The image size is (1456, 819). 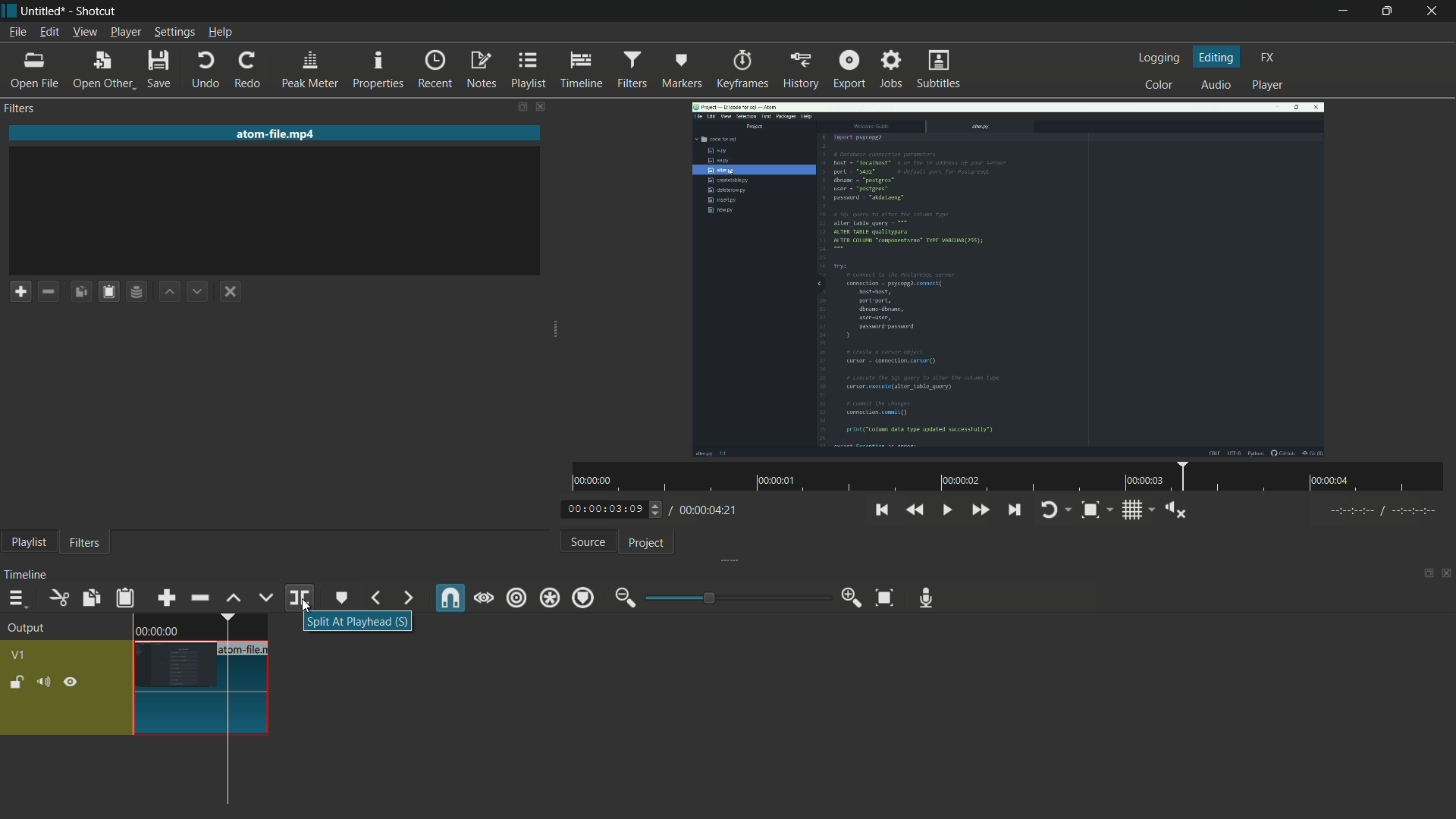 What do you see at coordinates (584, 598) in the screenshot?
I see `ripple markers` at bounding box center [584, 598].